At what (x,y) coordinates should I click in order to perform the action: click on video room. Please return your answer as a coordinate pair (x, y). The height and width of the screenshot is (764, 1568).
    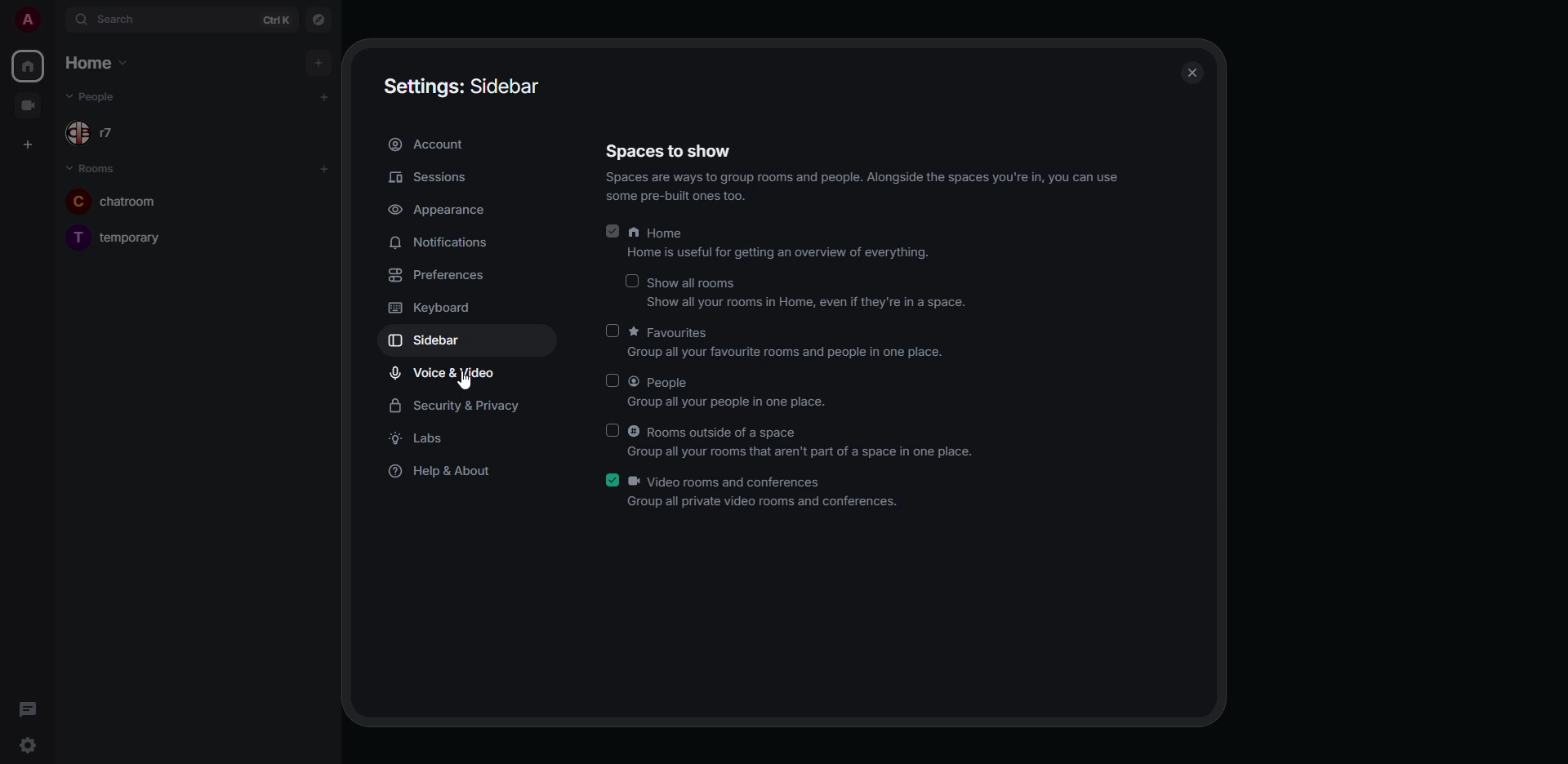
    Looking at the image, I should click on (34, 105).